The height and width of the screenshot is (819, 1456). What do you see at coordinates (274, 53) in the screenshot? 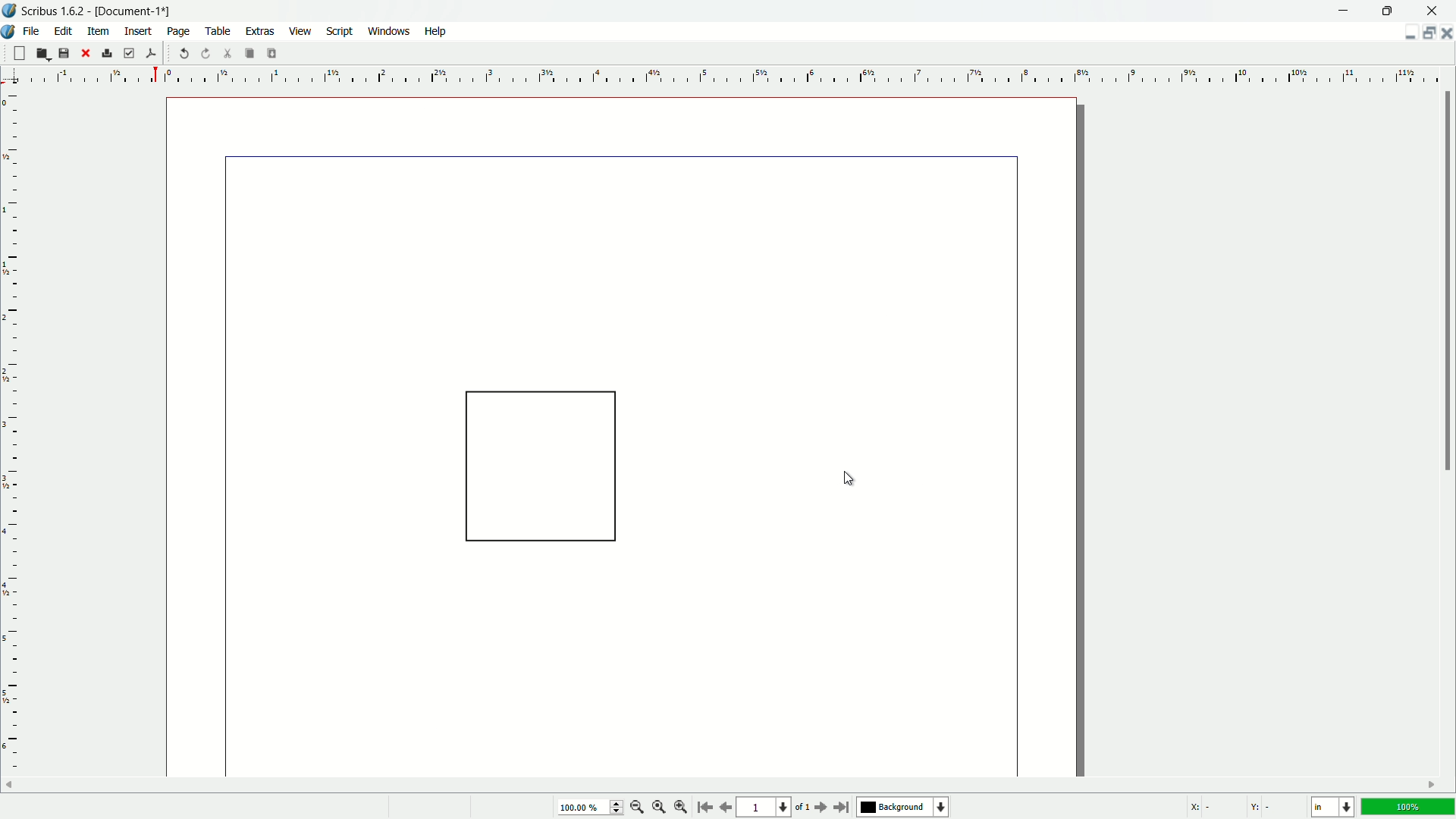
I see `paste` at bounding box center [274, 53].